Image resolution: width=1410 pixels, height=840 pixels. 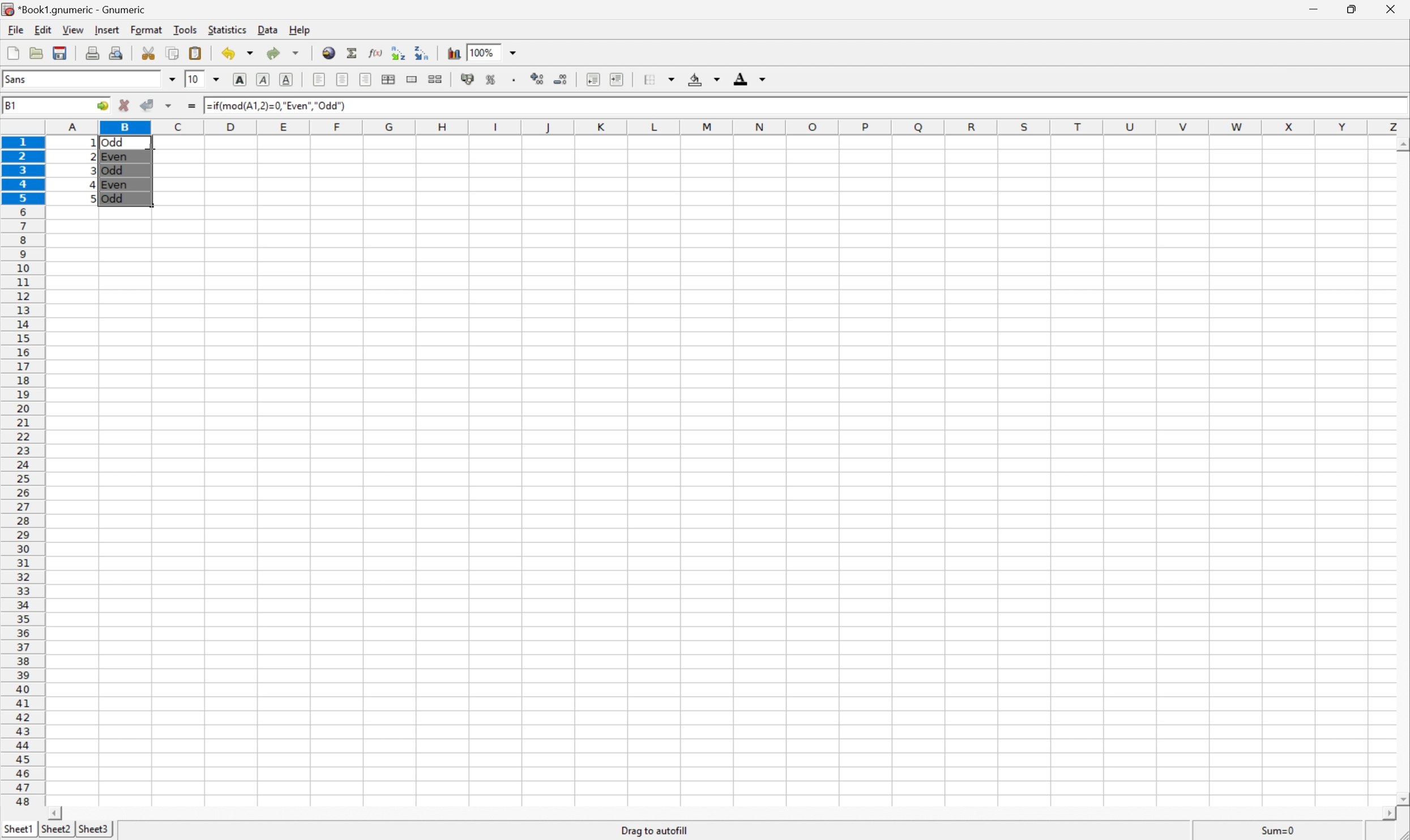 I want to click on Scroll Right, so click(x=1381, y=813).